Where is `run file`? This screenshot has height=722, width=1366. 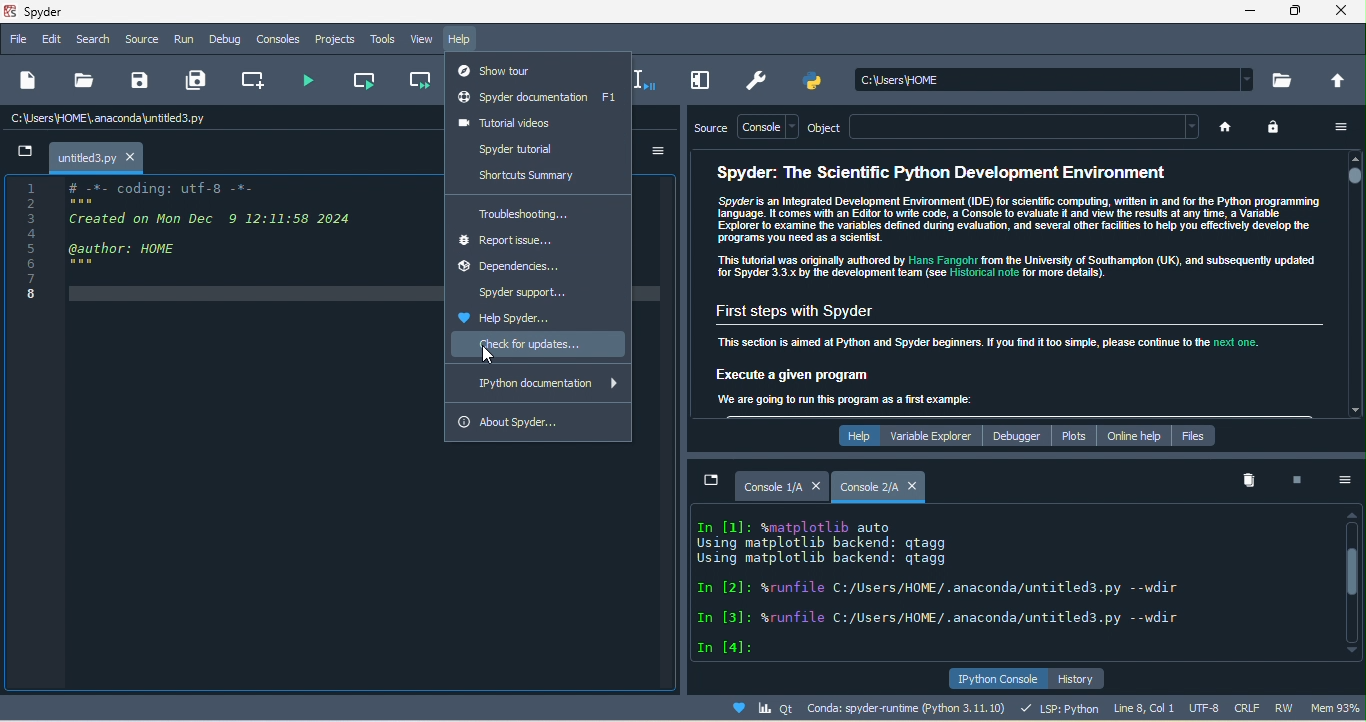 run file is located at coordinates (312, 79).